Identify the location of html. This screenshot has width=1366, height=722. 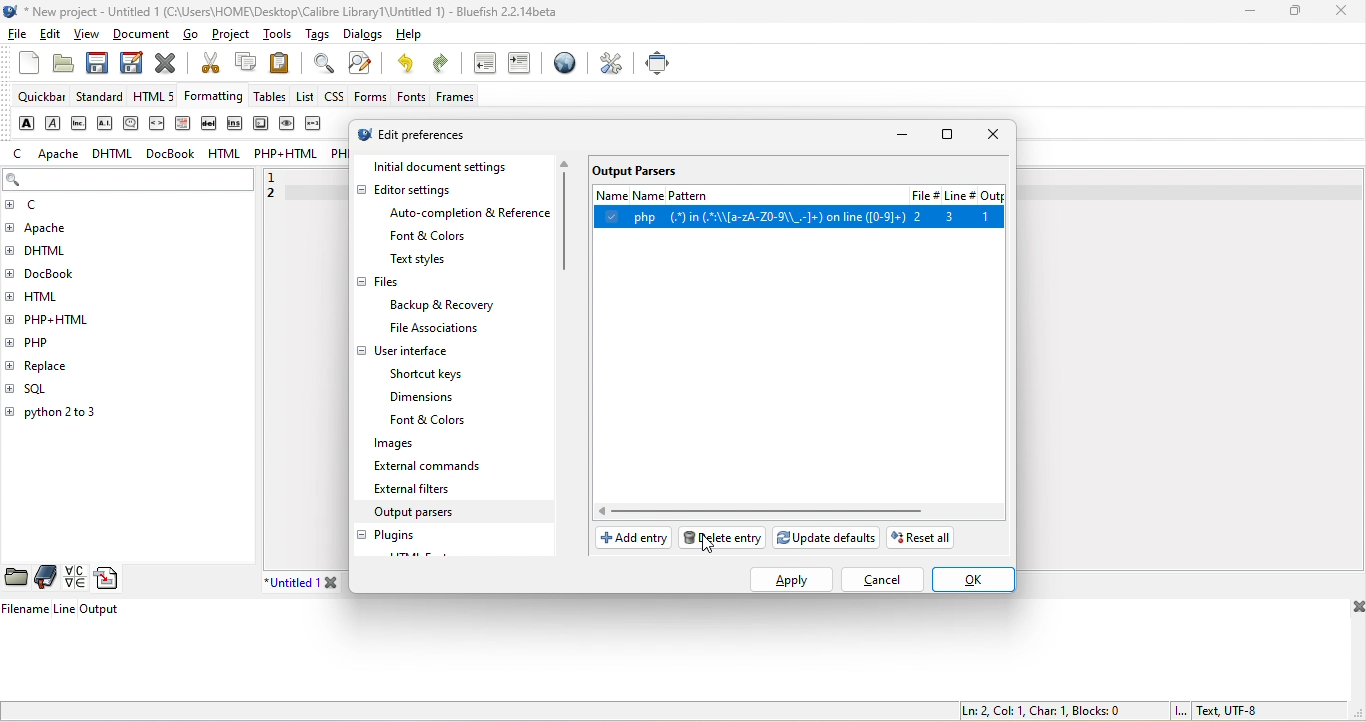
(51, 294).